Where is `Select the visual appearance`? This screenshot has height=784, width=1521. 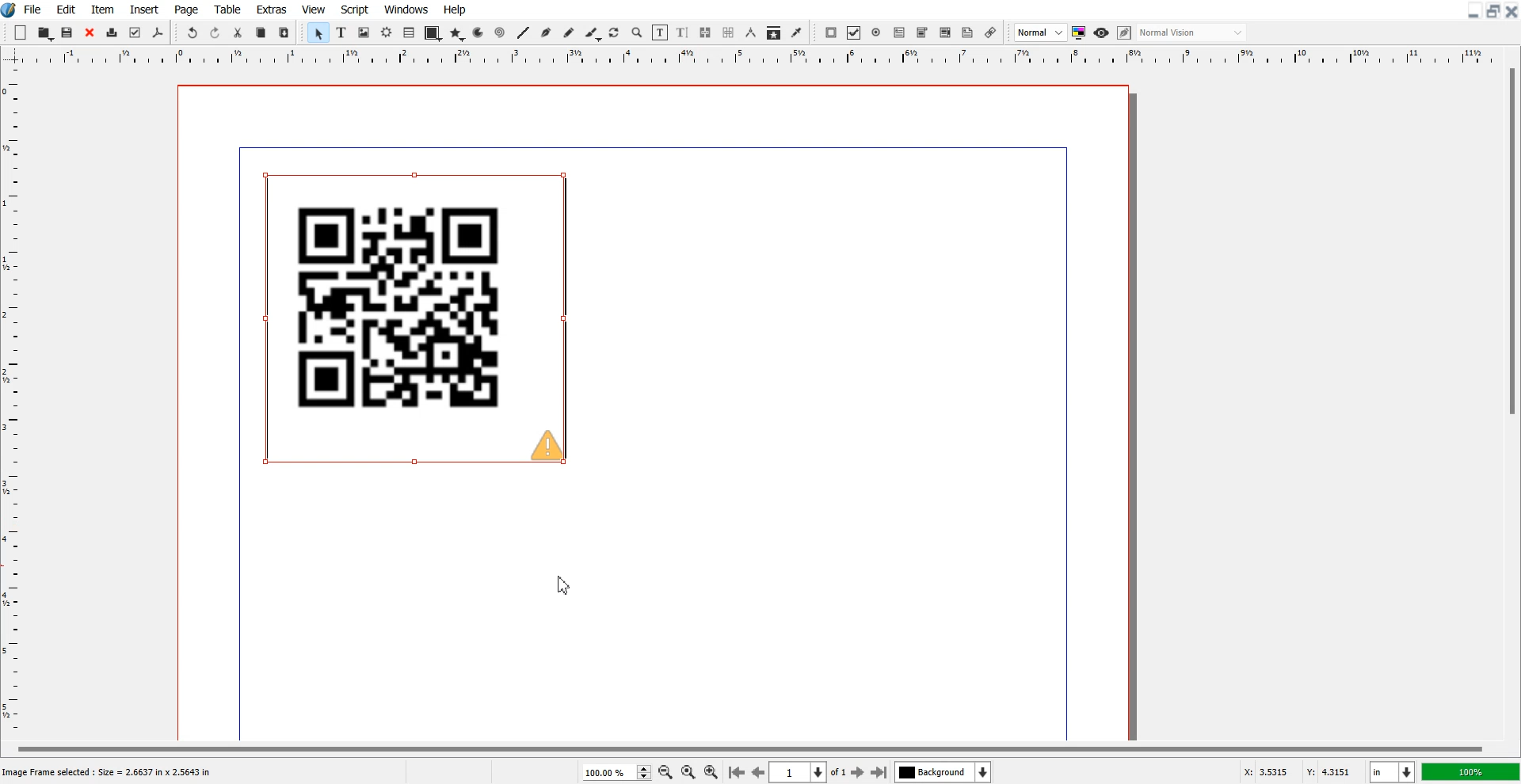
Select the visual appearance is located at coordinates (1193, 33).